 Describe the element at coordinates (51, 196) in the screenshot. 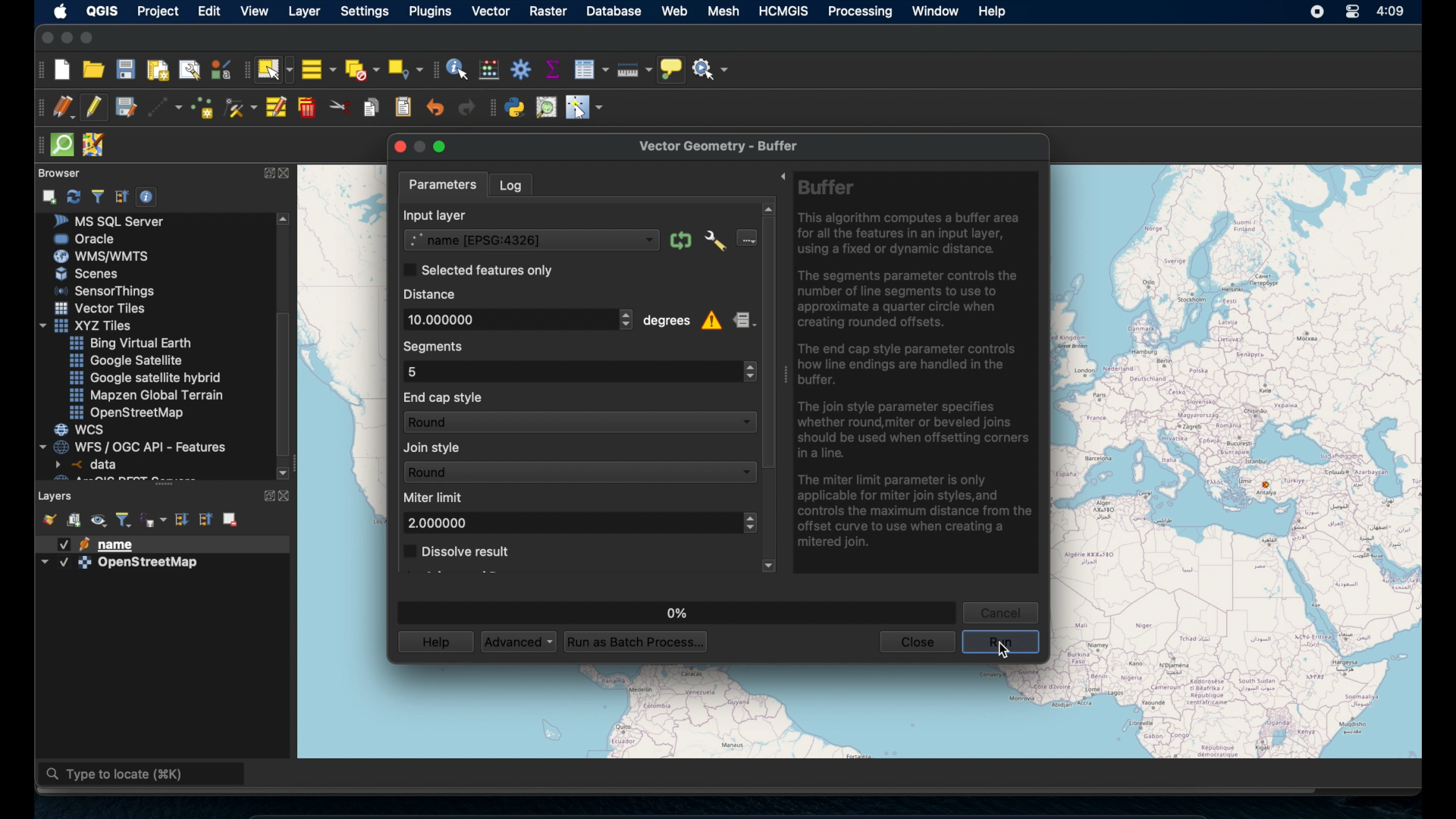

I see `add selected layers` at that location.